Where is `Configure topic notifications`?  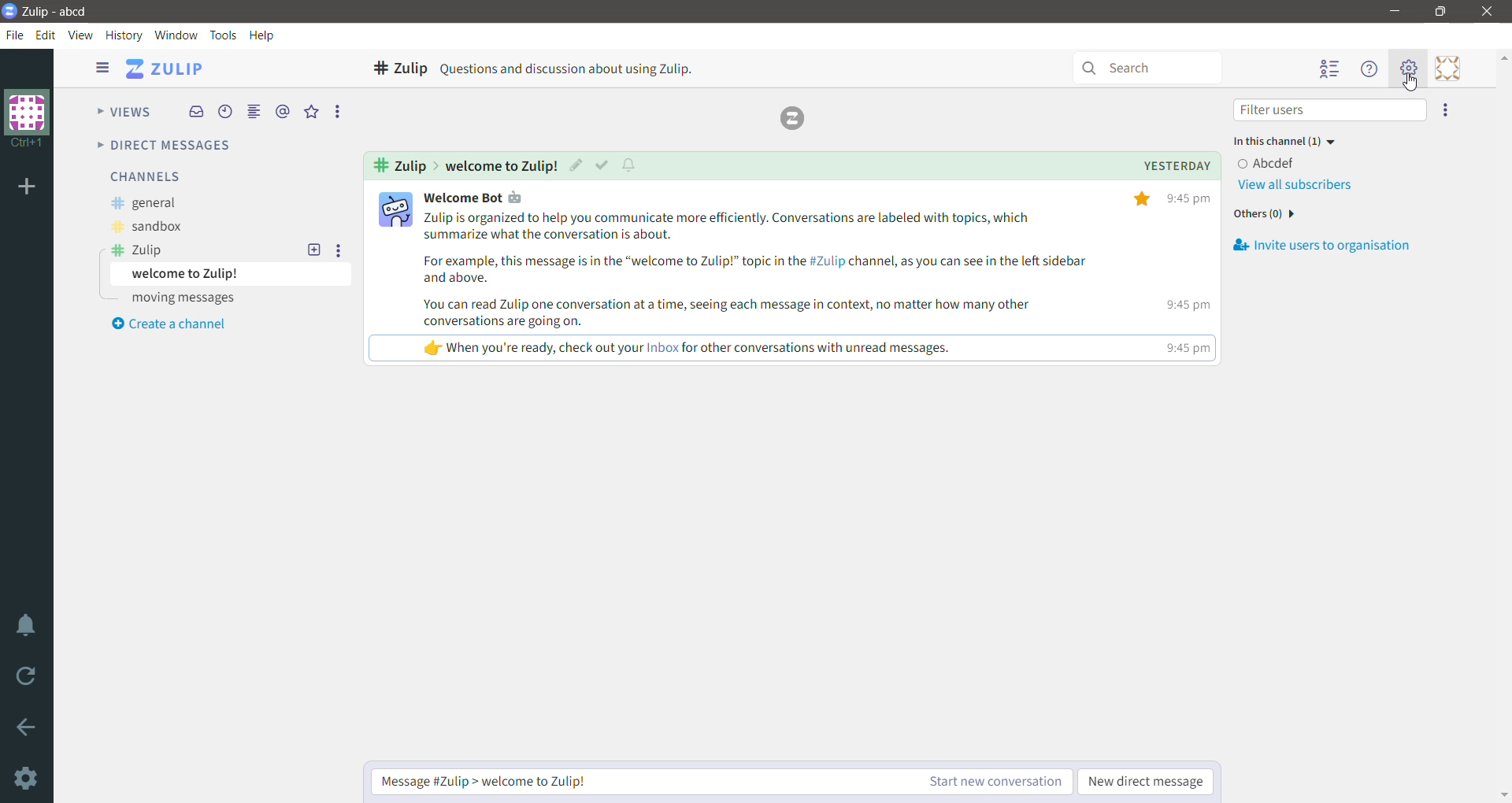
Configure topic notifications is located at coordinates (634, 166).